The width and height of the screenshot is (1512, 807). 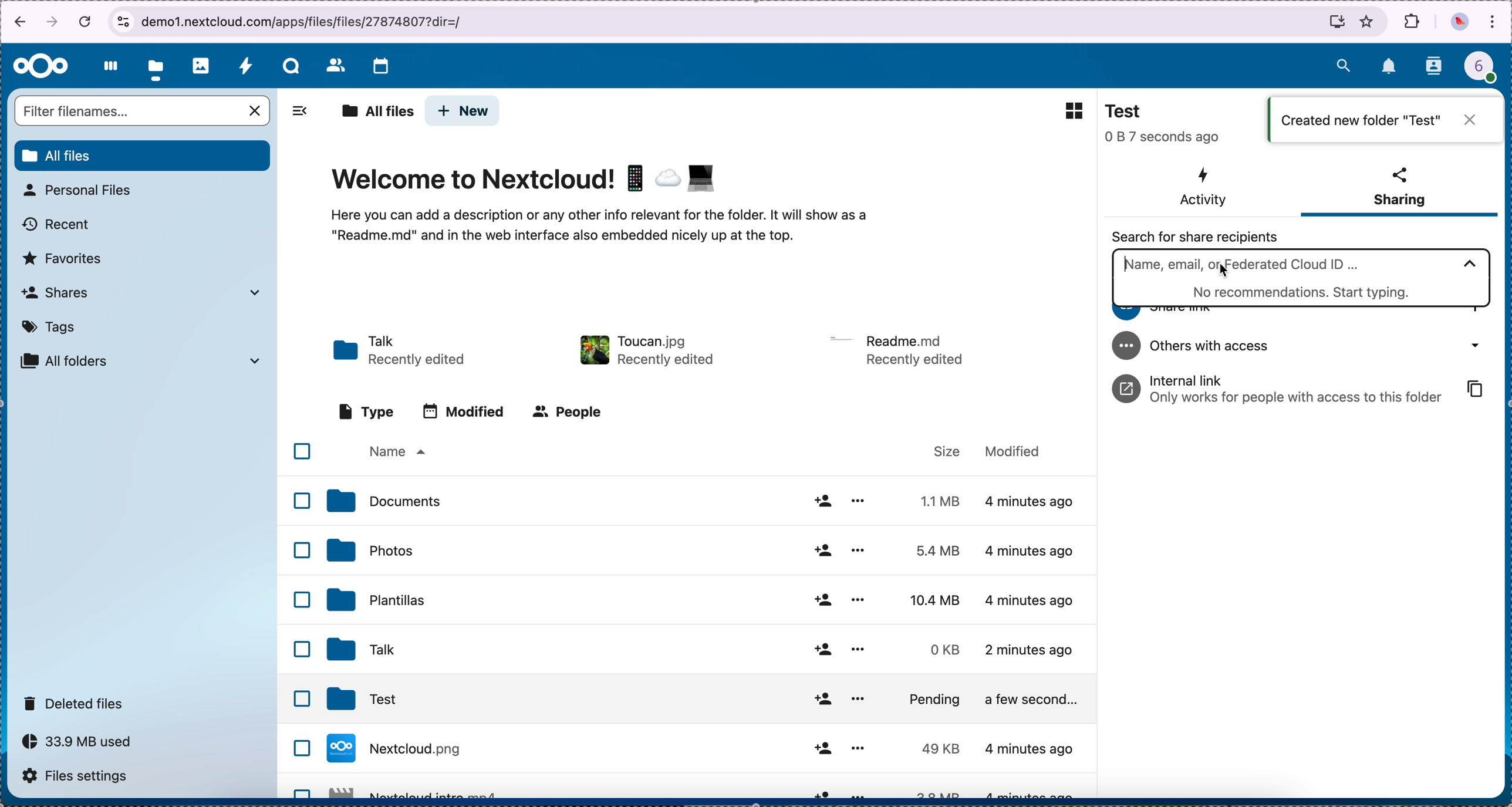 I want to click on all files, so click(x=377, y=112).